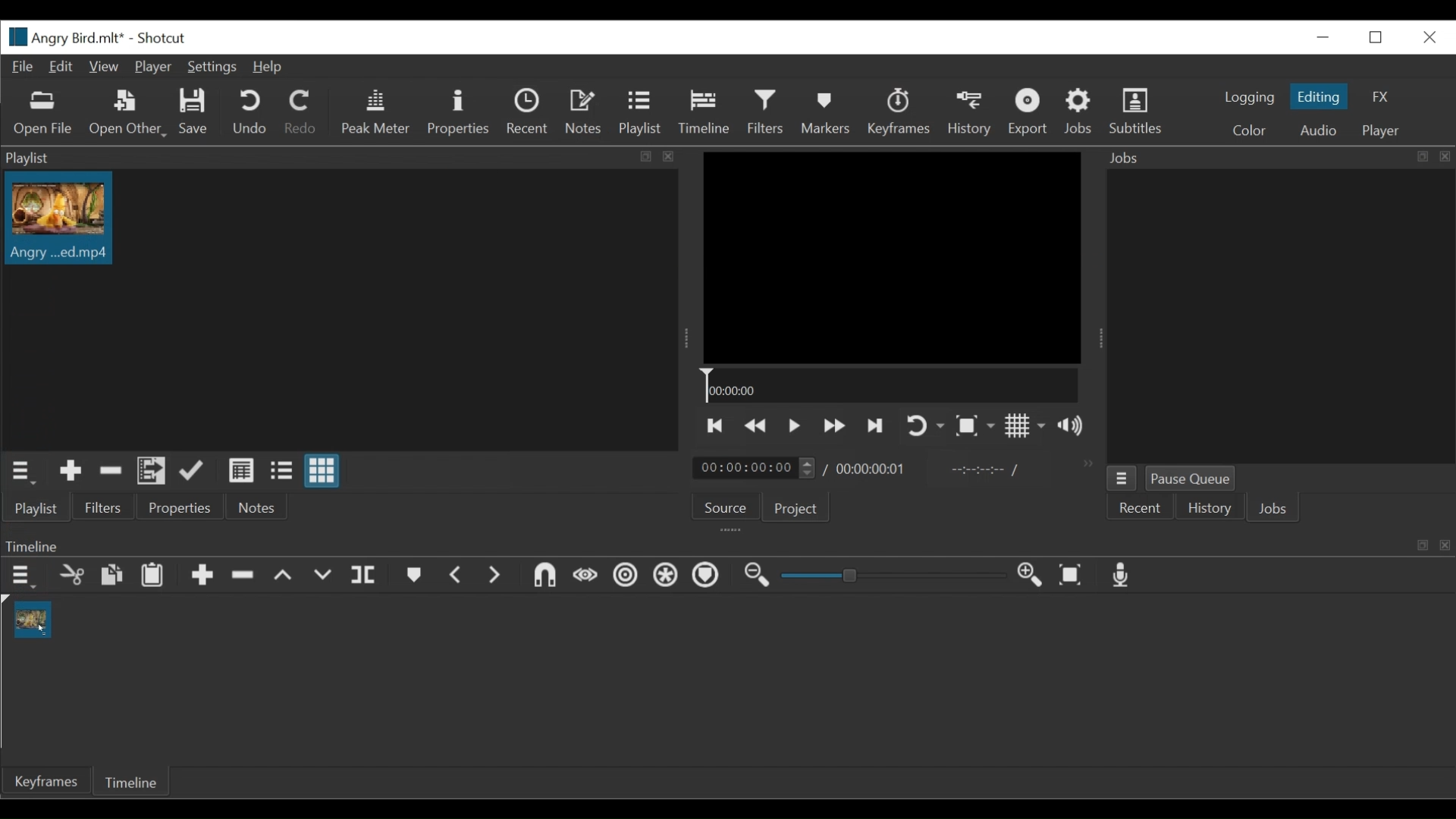  I want to click on View as files, so click(283, 470).